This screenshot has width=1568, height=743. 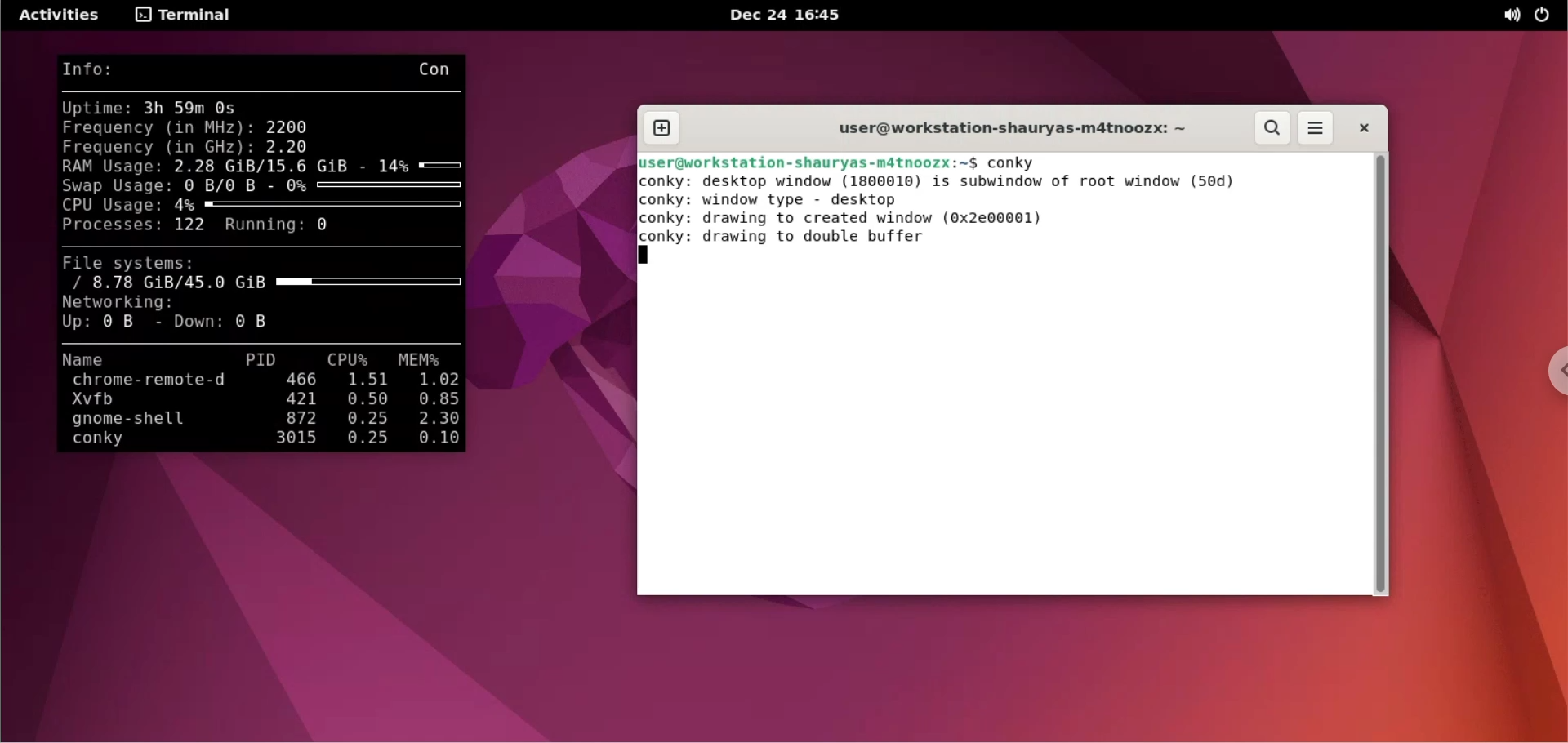 I want to click on line, so click(x=266, y=343).